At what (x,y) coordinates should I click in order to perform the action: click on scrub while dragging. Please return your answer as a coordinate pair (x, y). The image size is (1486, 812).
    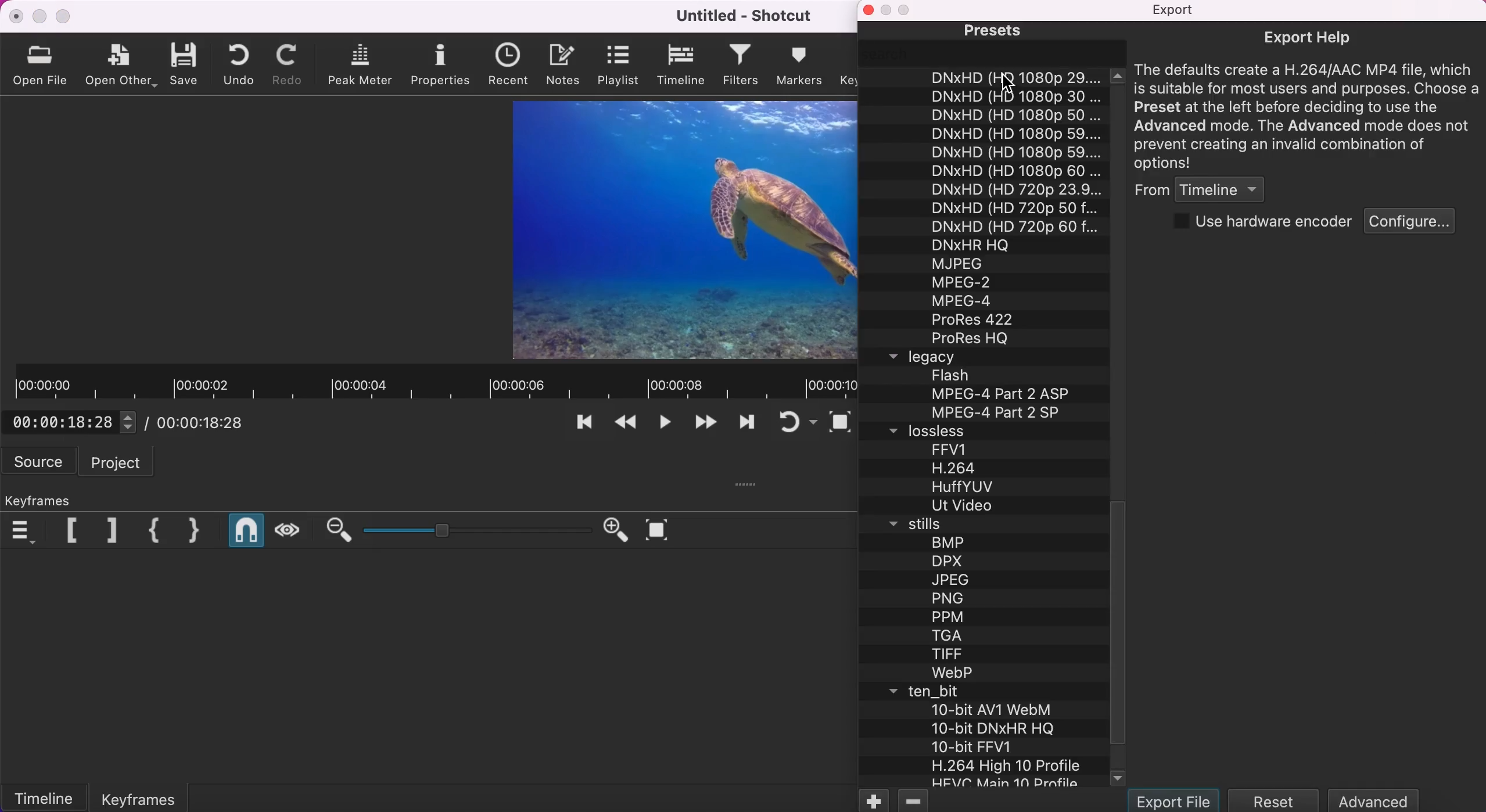
    Looking at the image, I should click on (288, 529).